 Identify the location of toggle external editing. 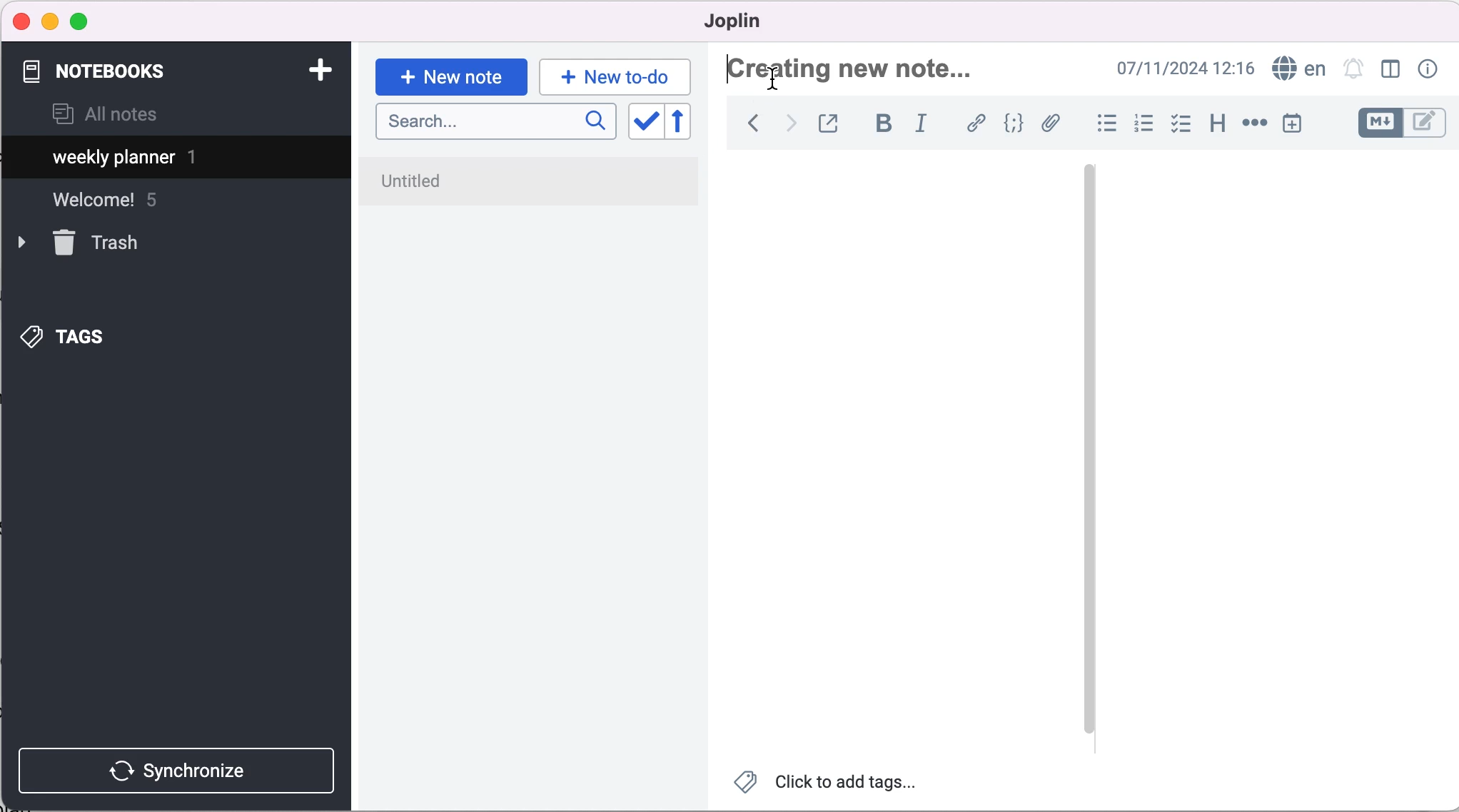
(830, 125).